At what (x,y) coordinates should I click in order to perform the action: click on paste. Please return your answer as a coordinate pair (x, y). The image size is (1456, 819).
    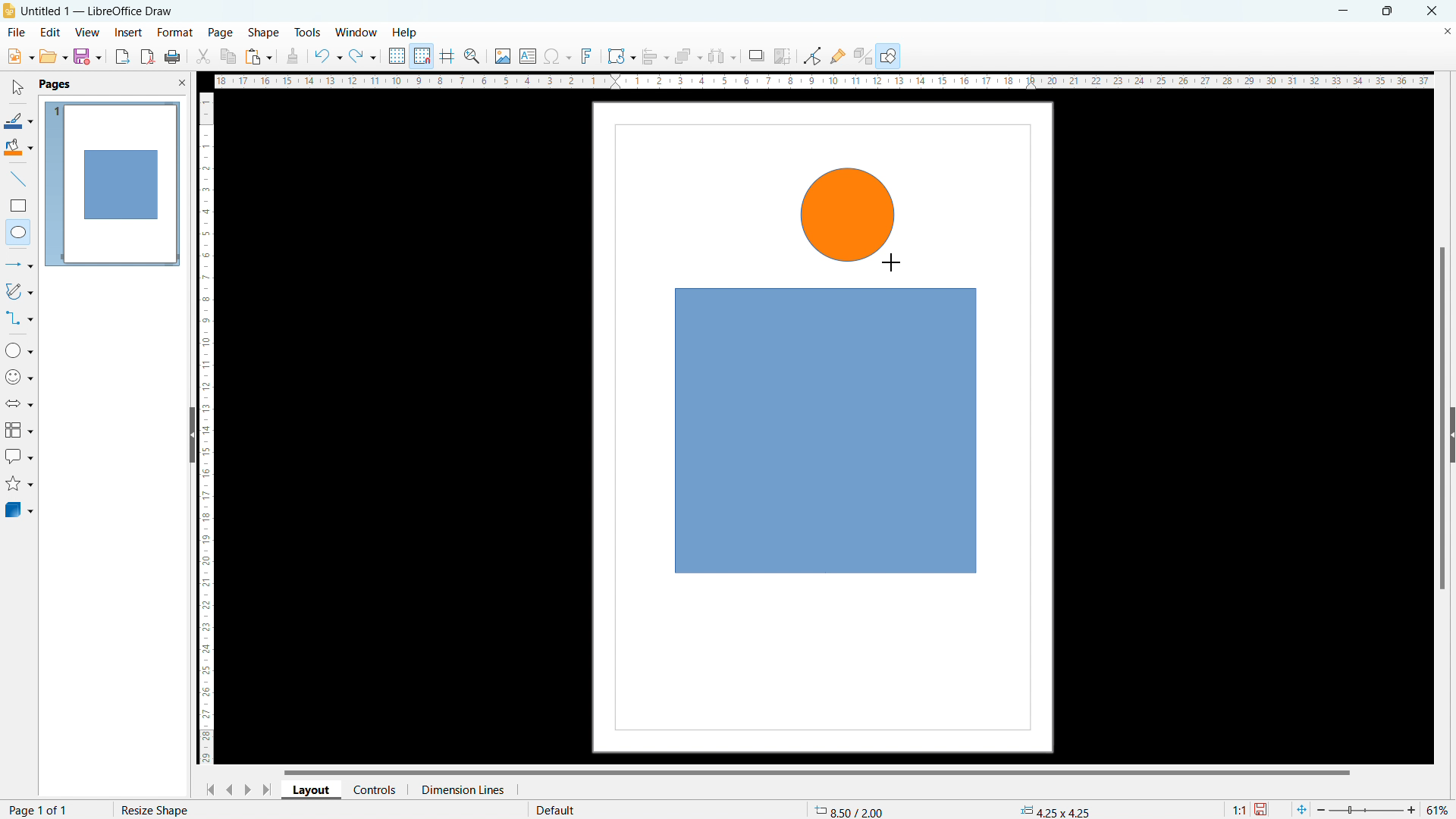
    Looking at the image, I should click on (259, 56).